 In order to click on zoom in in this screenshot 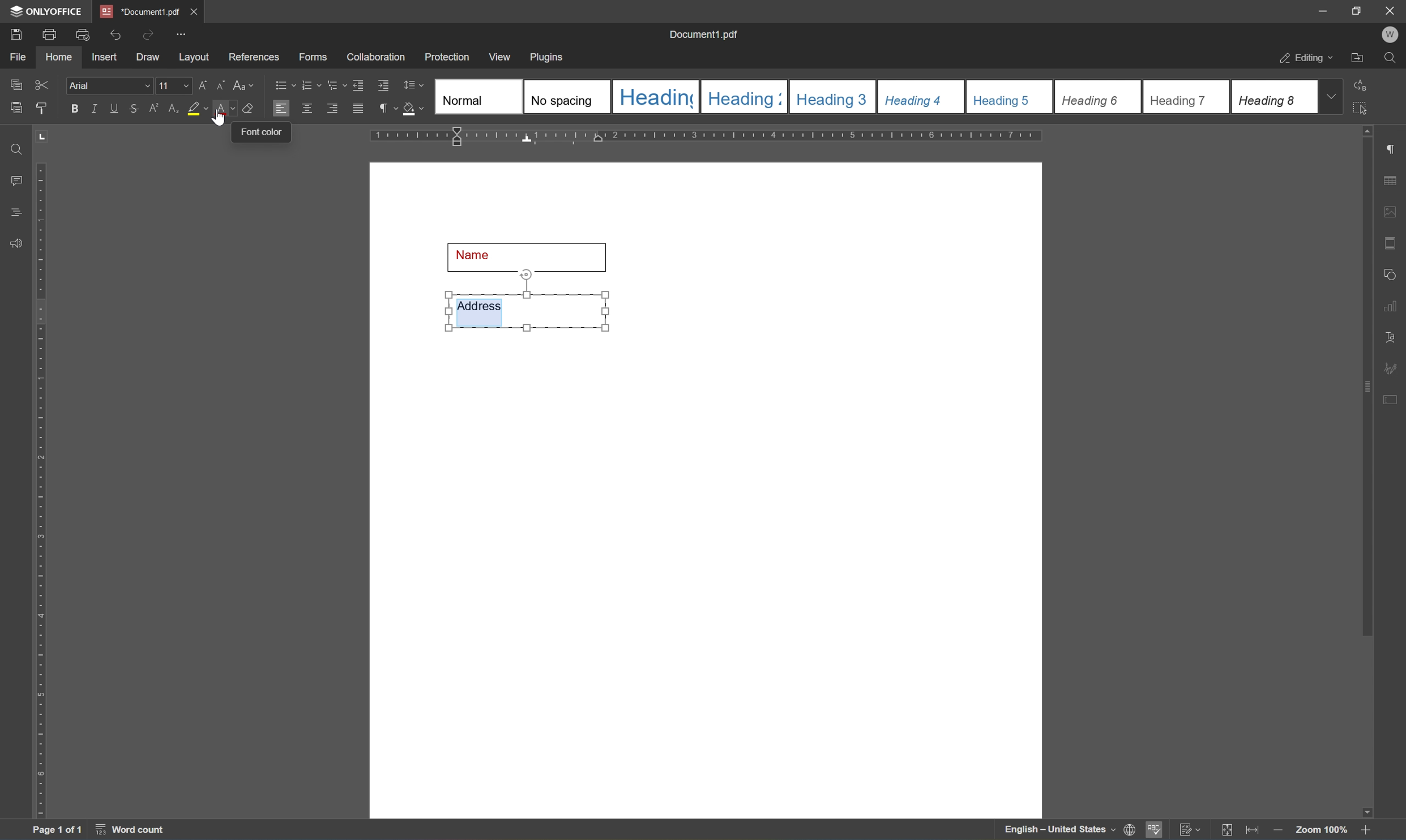, I will do `click(1276, 830)`.